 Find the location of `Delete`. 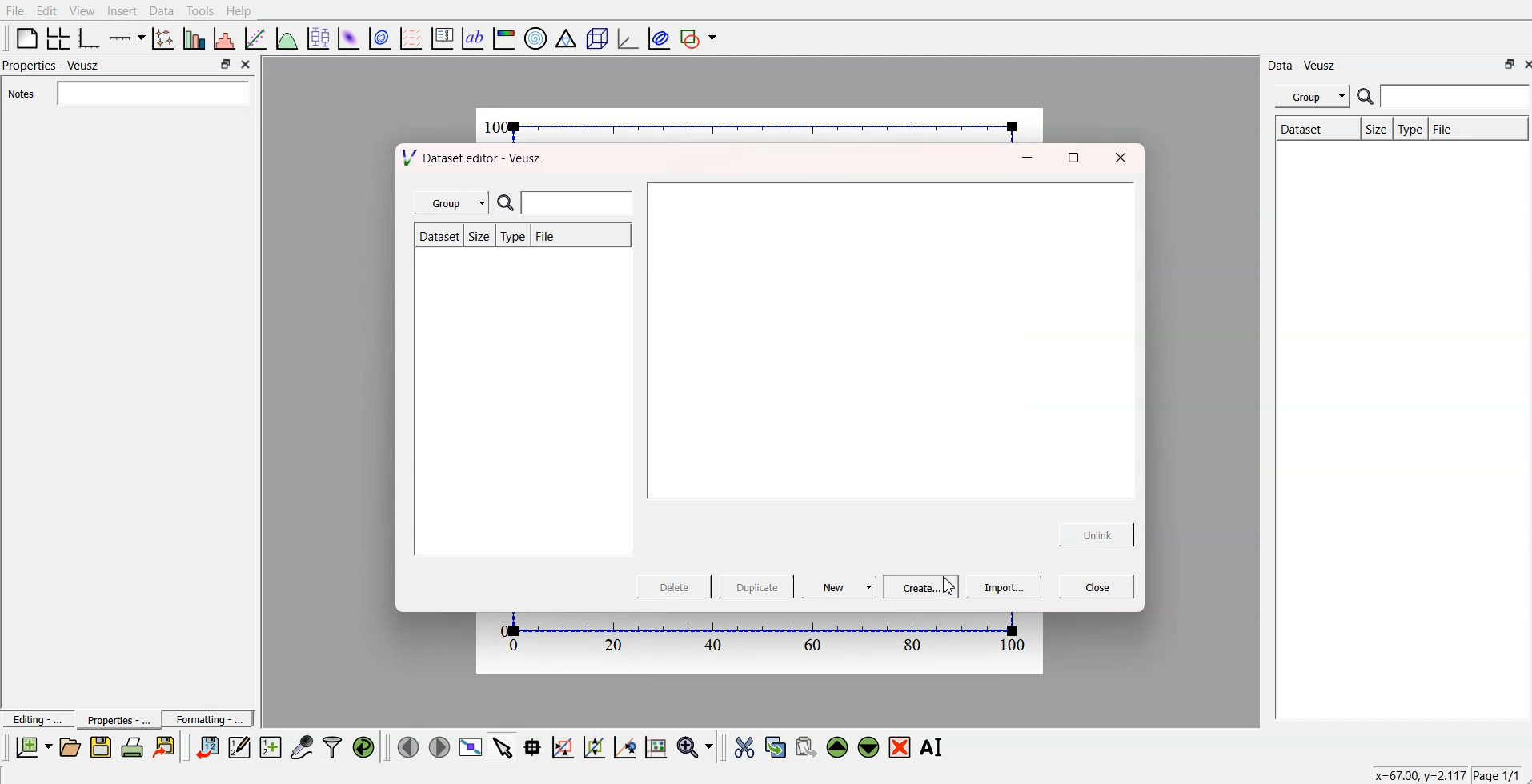

Delete is located at coordinates (676, 586).